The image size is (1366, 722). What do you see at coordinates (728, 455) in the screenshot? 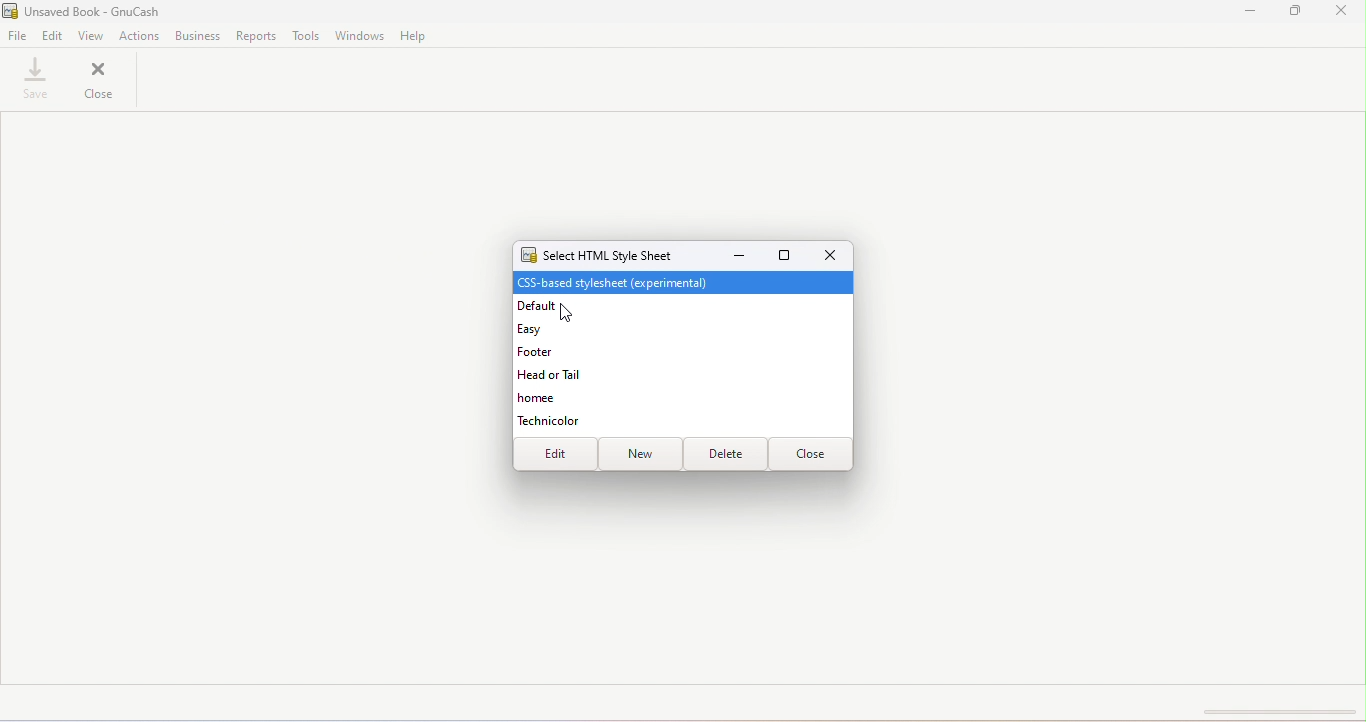
I see `Delete` at bounding box center [728, 455].